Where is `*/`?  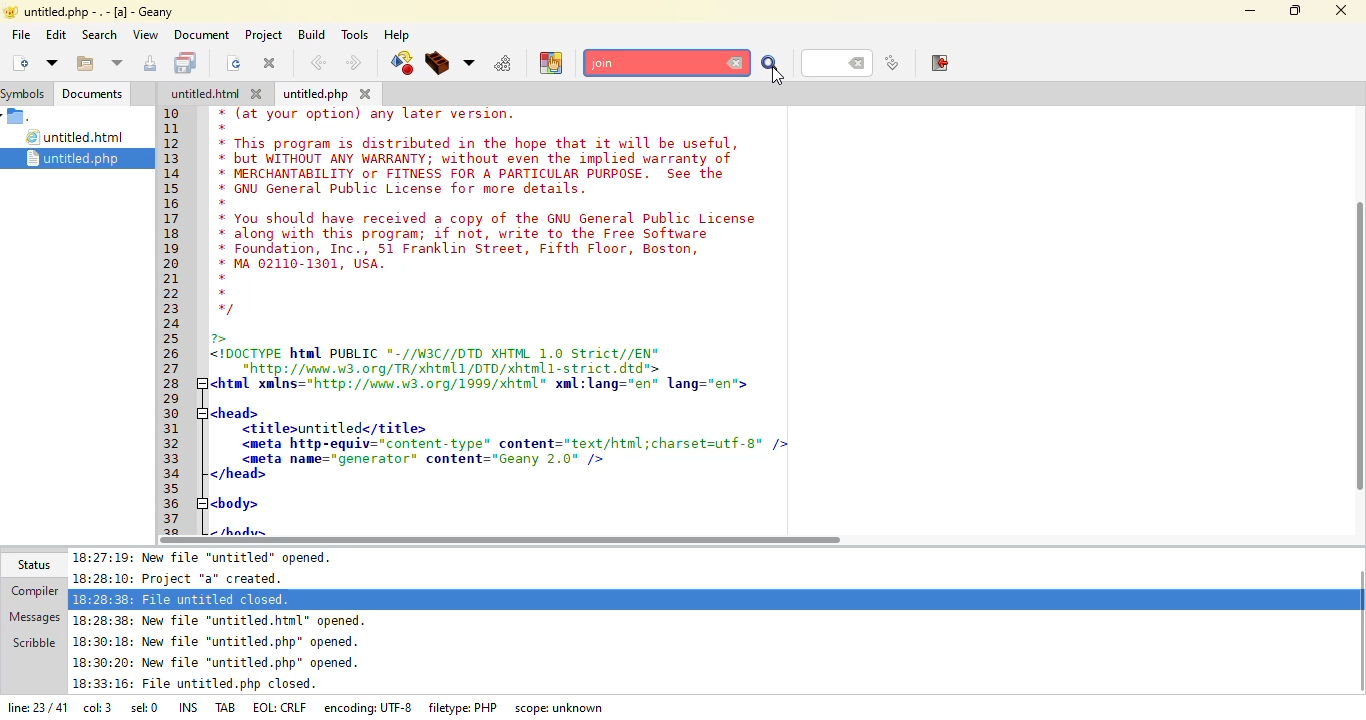
*/ is located at coordinates (226, 310).